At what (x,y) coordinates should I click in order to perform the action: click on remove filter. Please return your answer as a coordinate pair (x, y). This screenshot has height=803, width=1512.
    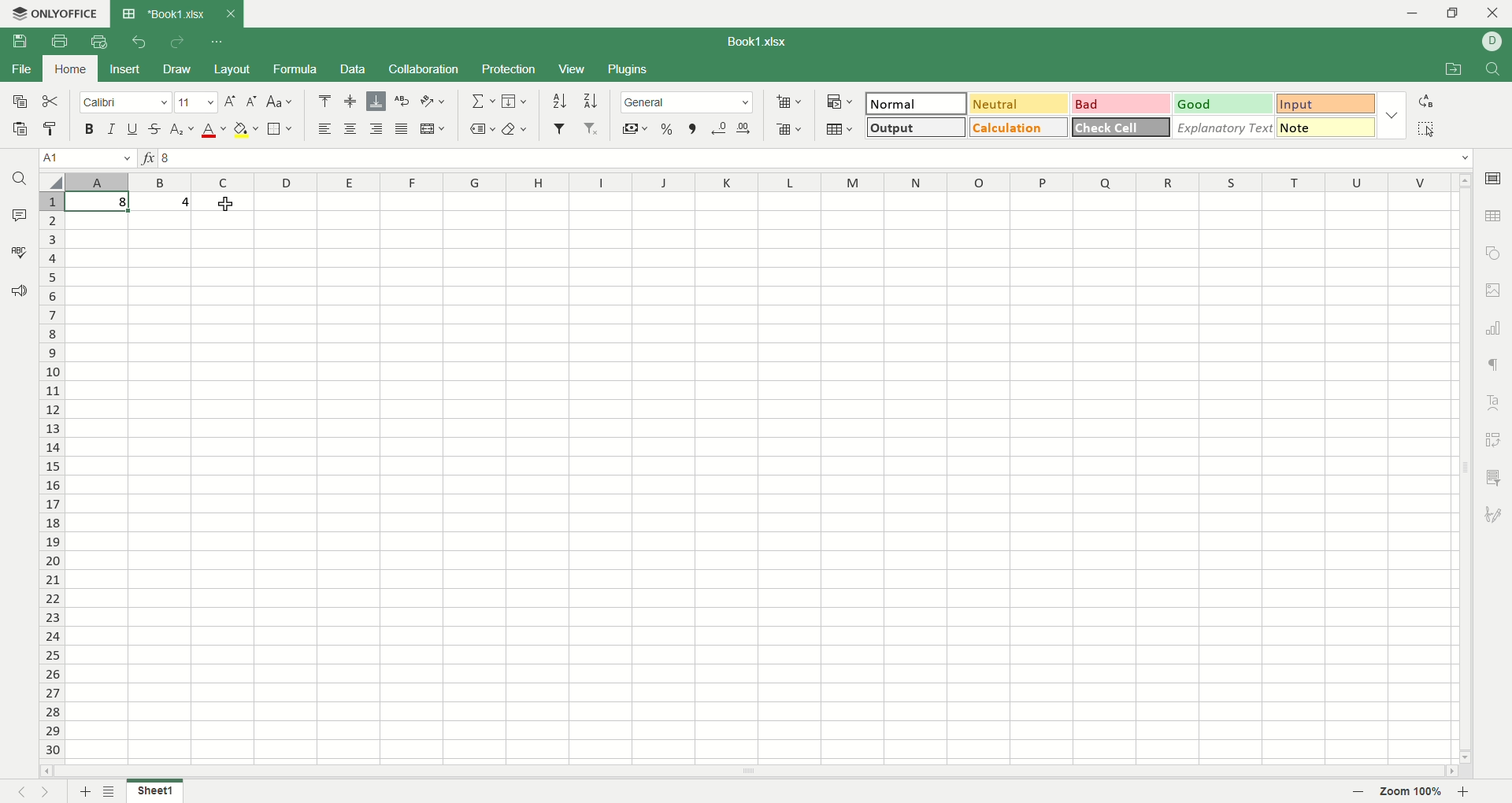
    Looking at the image, I should click on (592, 128).